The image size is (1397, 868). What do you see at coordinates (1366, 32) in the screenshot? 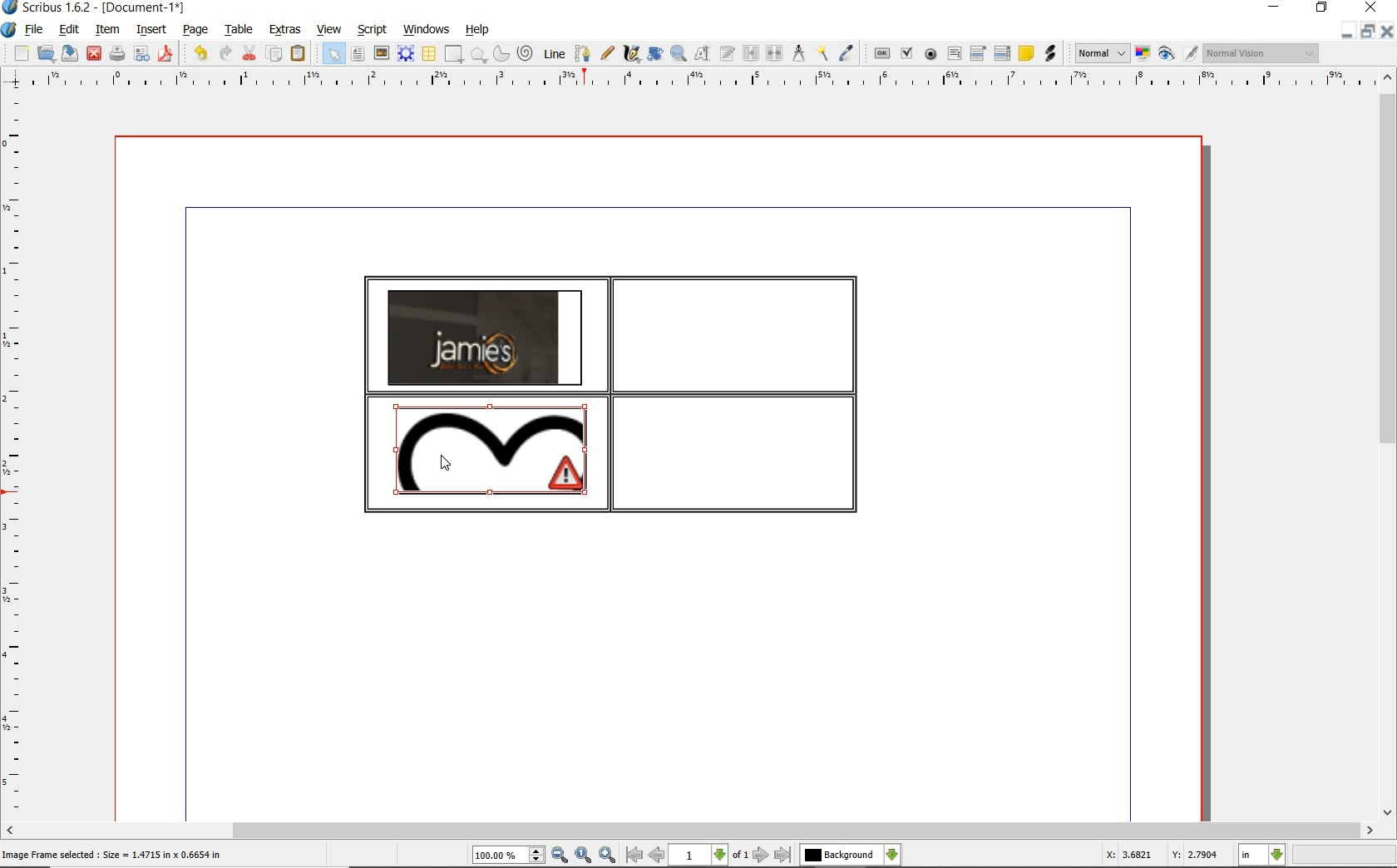
I see `restore` at bounding box center [1366, 32].